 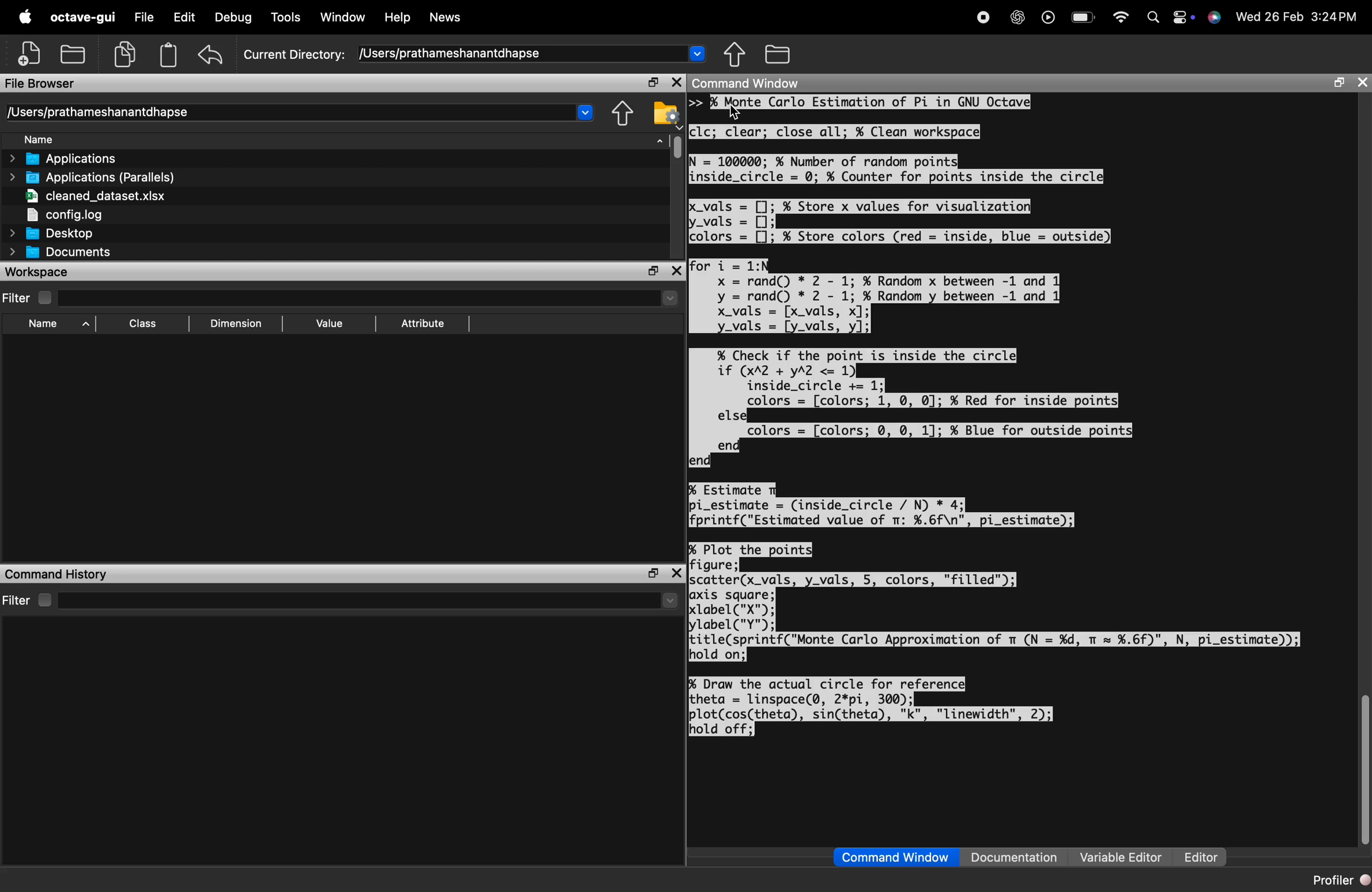 I want to click on Help, so click(x=398, y=18).